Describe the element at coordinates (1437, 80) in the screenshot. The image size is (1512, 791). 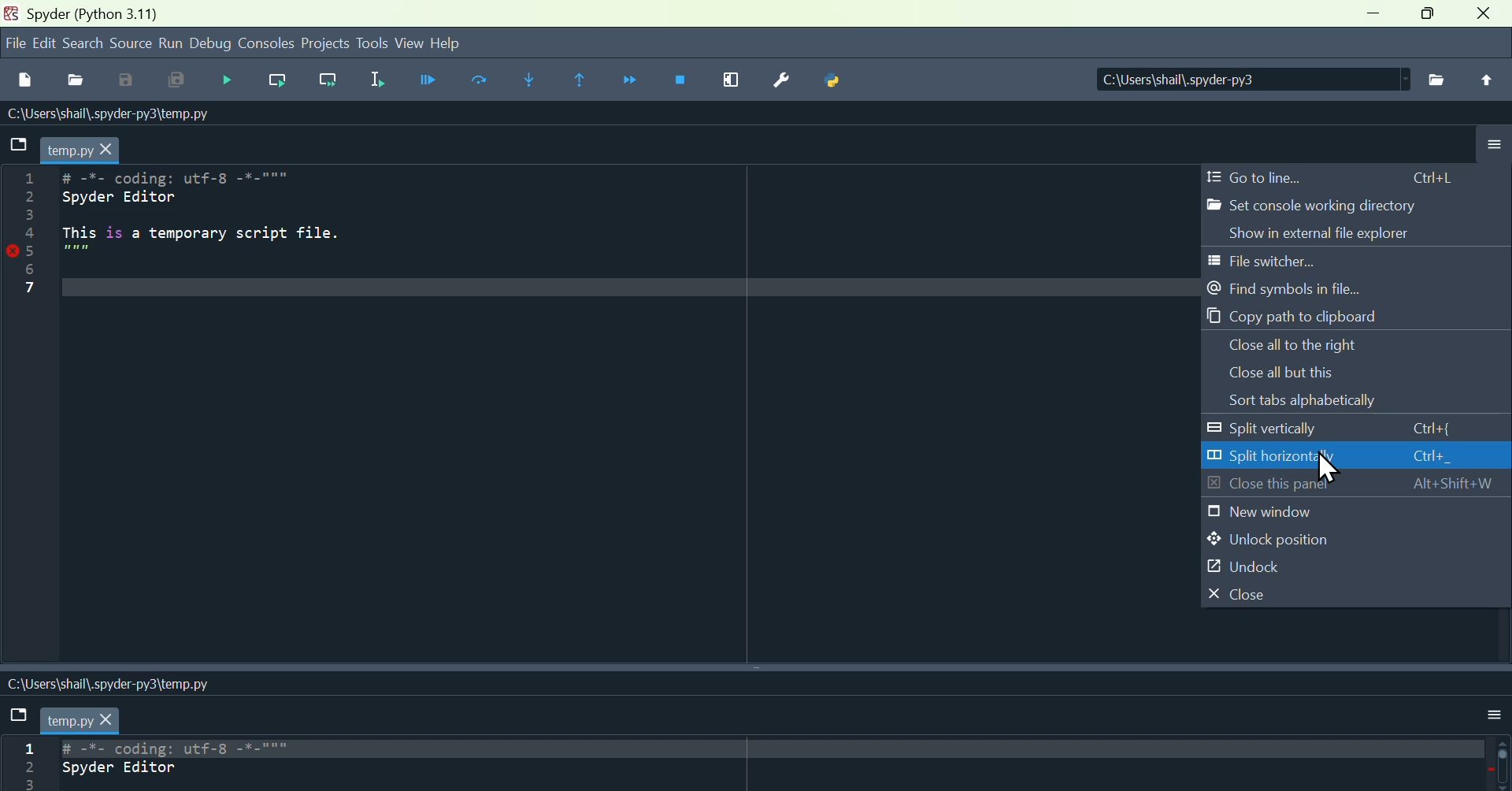
I see `File` at that location.